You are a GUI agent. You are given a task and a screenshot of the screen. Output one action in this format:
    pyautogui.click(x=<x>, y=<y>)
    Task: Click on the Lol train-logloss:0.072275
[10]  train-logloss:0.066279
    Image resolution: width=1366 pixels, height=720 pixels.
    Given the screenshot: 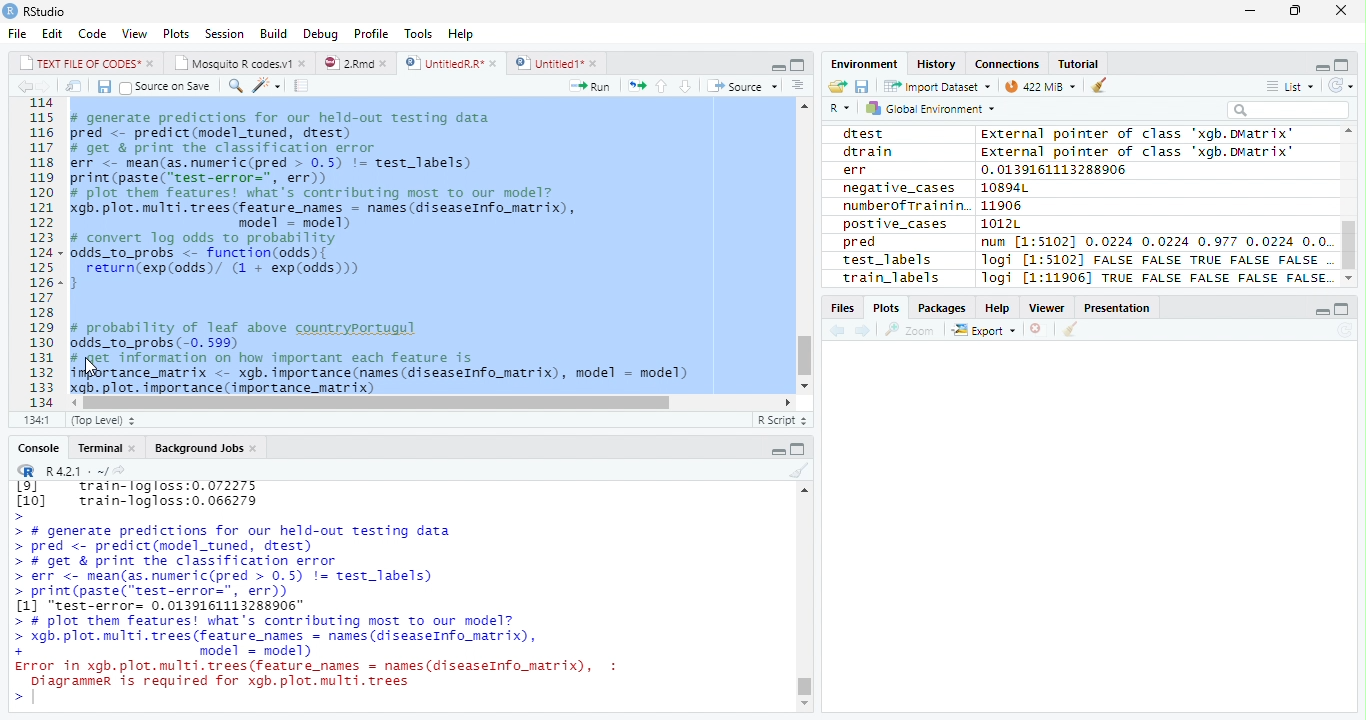 What is the action you would take?
    pyautogui.click(x=138, y=500)
    